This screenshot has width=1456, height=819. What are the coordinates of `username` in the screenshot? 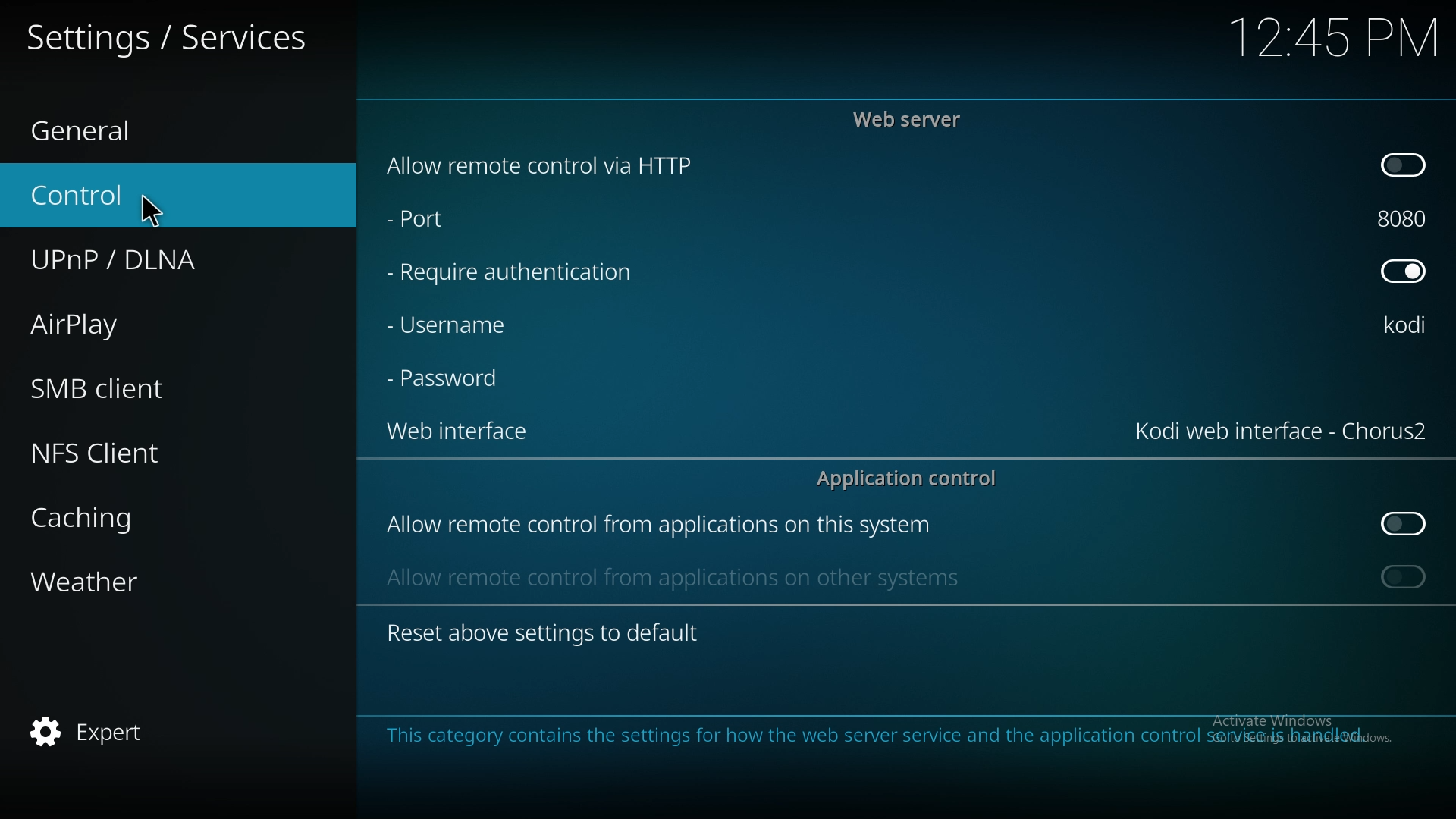 It's located at (449, 325).